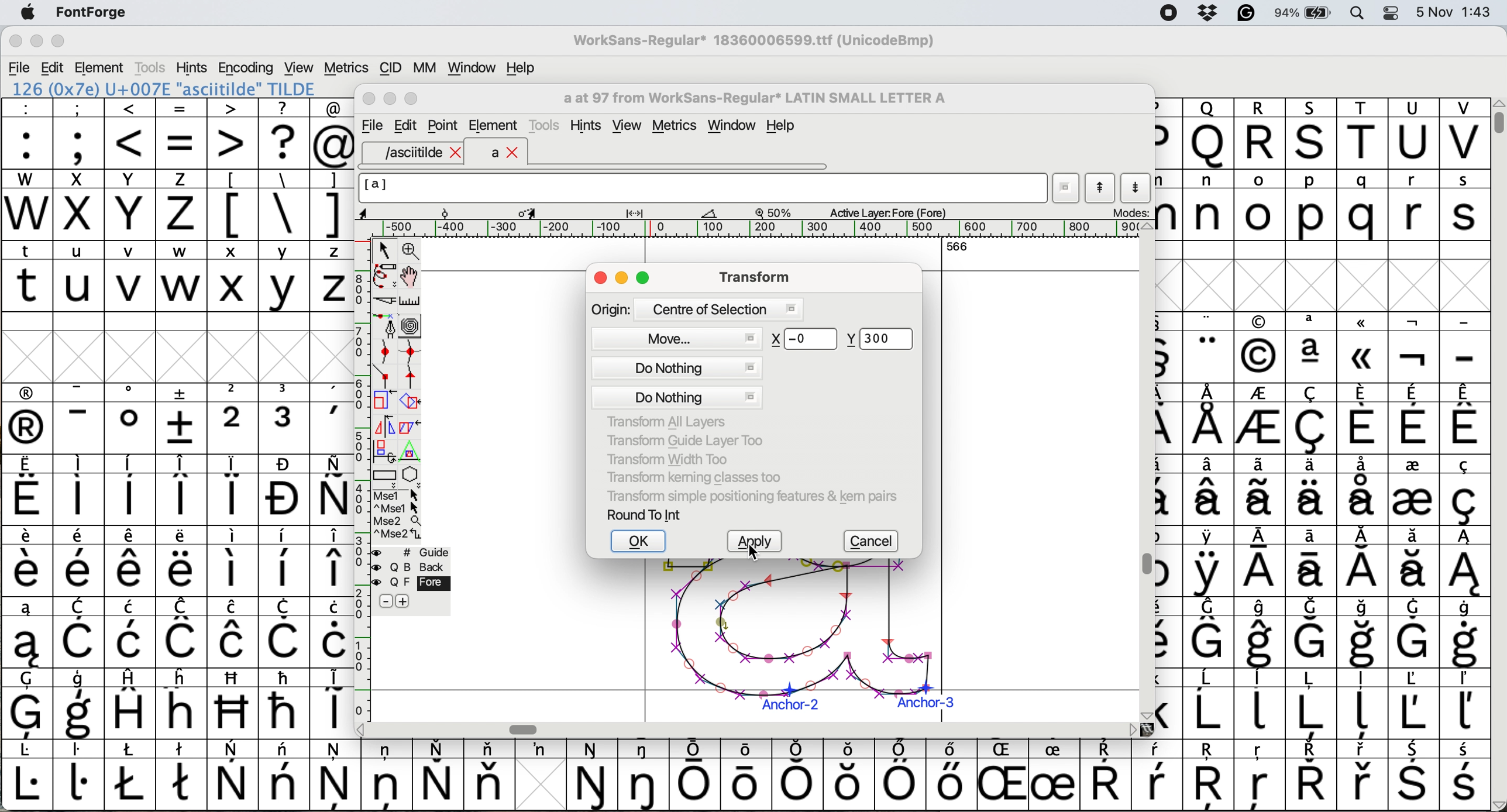 The height and width of the screenshot is (812, 1507). I want to click on x, so click(232, 276).